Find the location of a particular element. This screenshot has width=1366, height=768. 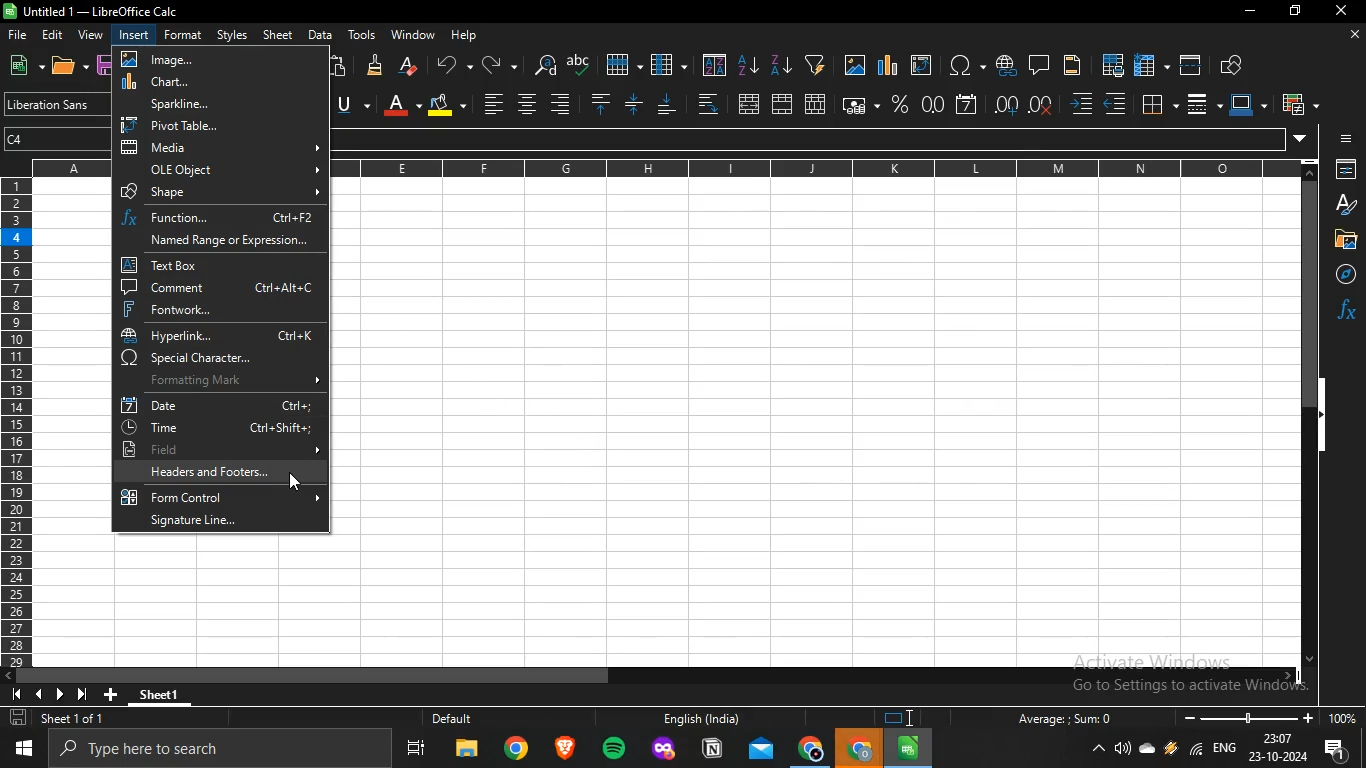

insert is located at coordinates (134, 34).